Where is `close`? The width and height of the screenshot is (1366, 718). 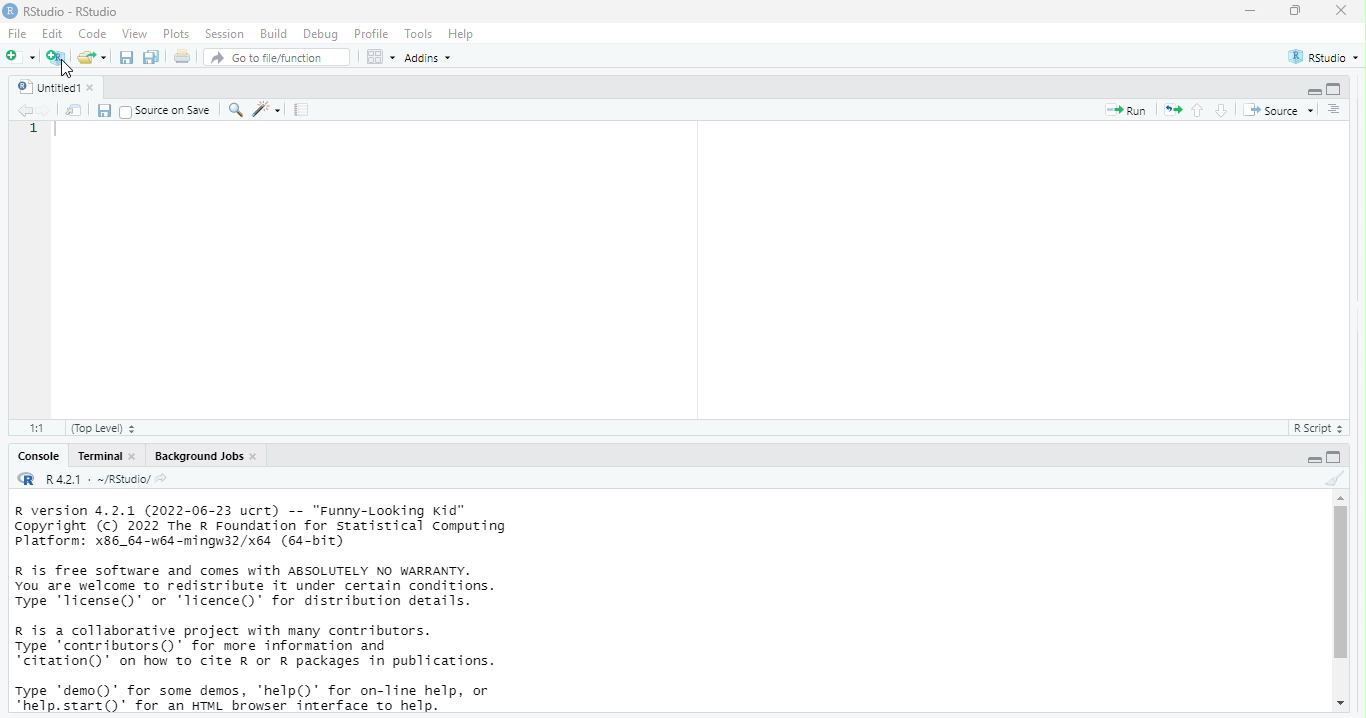 close is located at coordinates (136, 457).